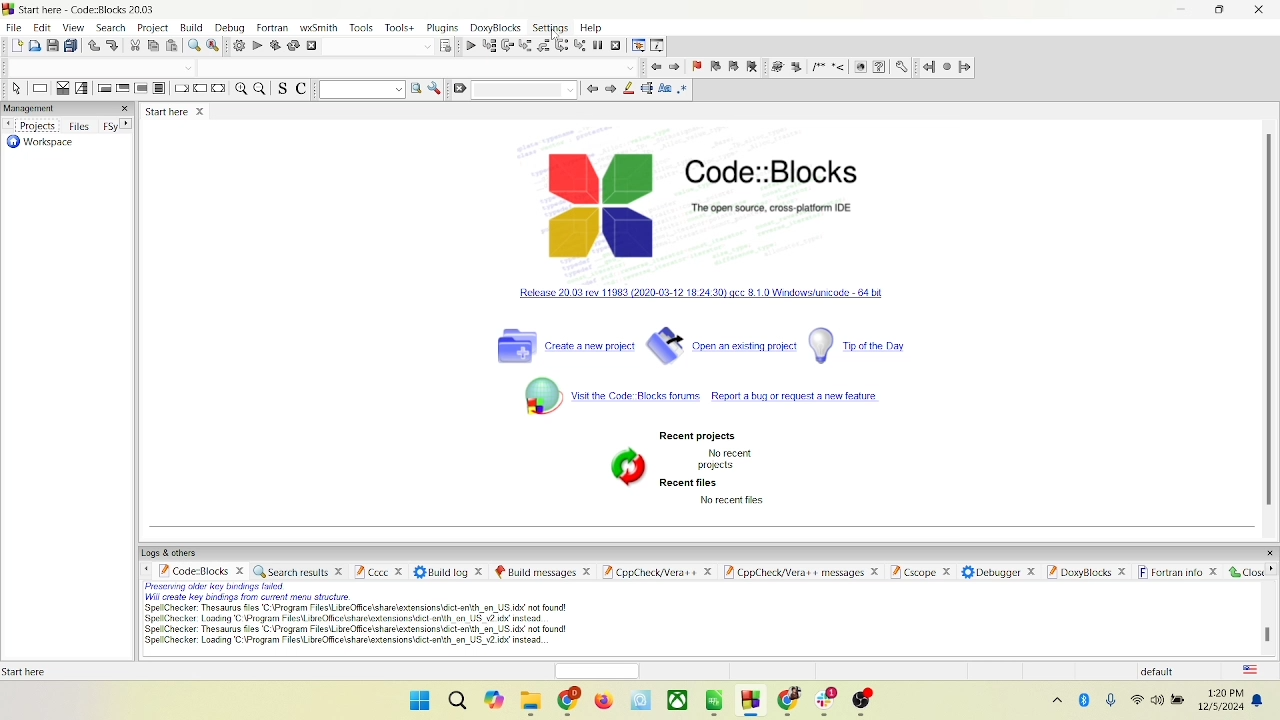 The width and height of the screenshot is (1280, 720). Describe the element at coordinates (260, 88) in the screenshot. I see `zoom out` at that location.